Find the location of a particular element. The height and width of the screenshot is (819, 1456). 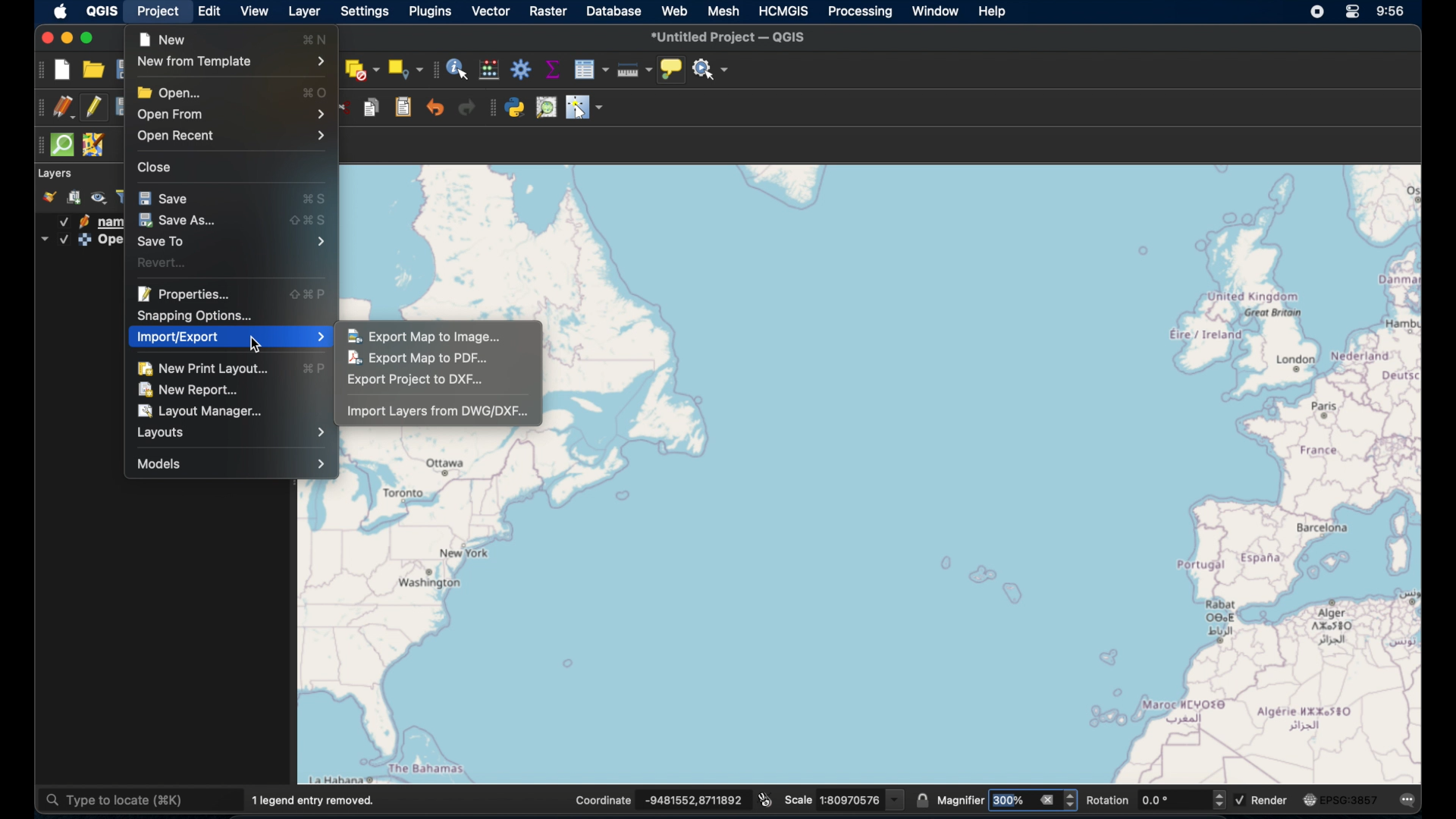

scale is located at coordinates (846, 799).